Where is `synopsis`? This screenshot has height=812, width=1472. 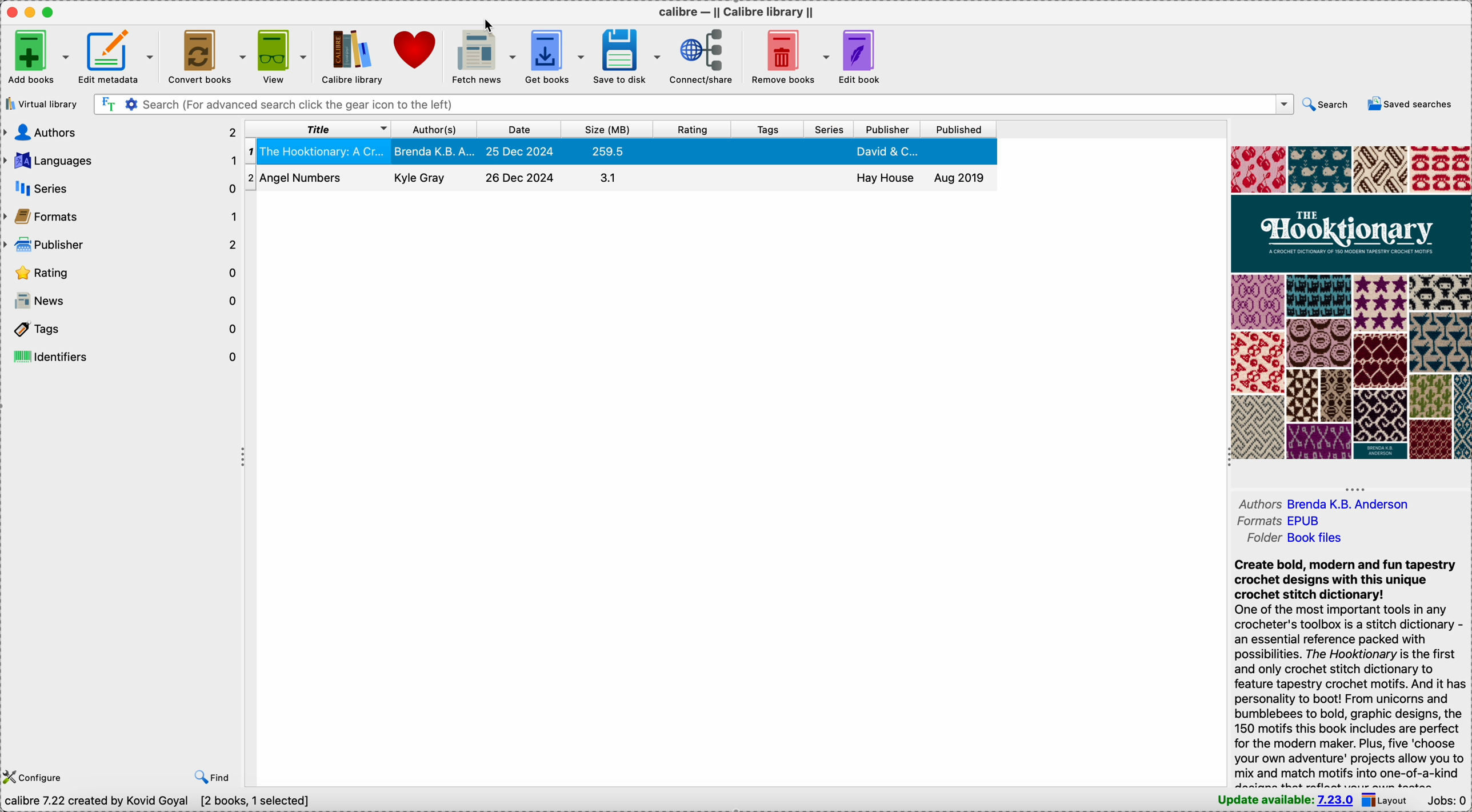 synopsis is located at coordinates (1350, 671).